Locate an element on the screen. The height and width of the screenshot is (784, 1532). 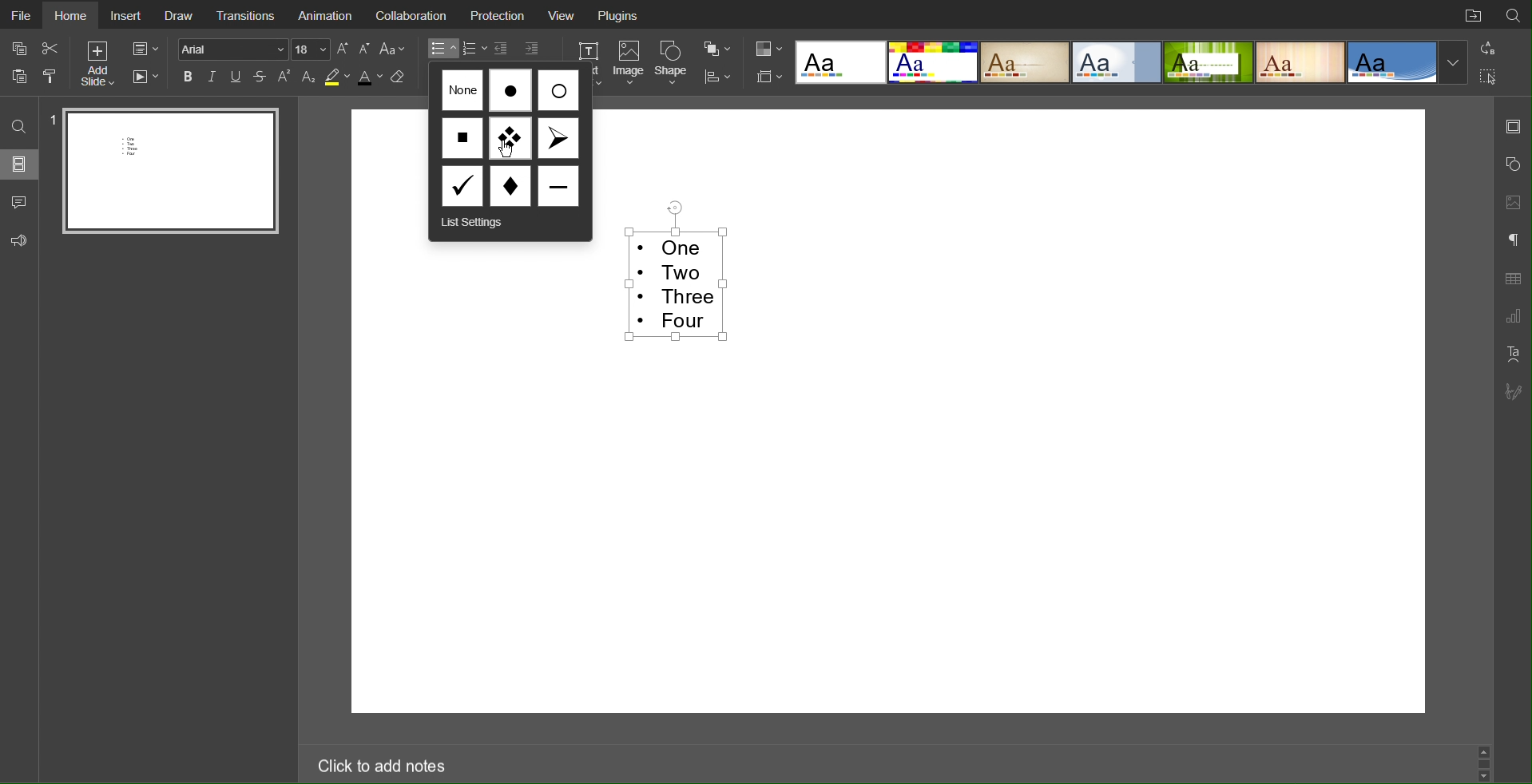
Image Settings is located at coordinates (1511, 202).